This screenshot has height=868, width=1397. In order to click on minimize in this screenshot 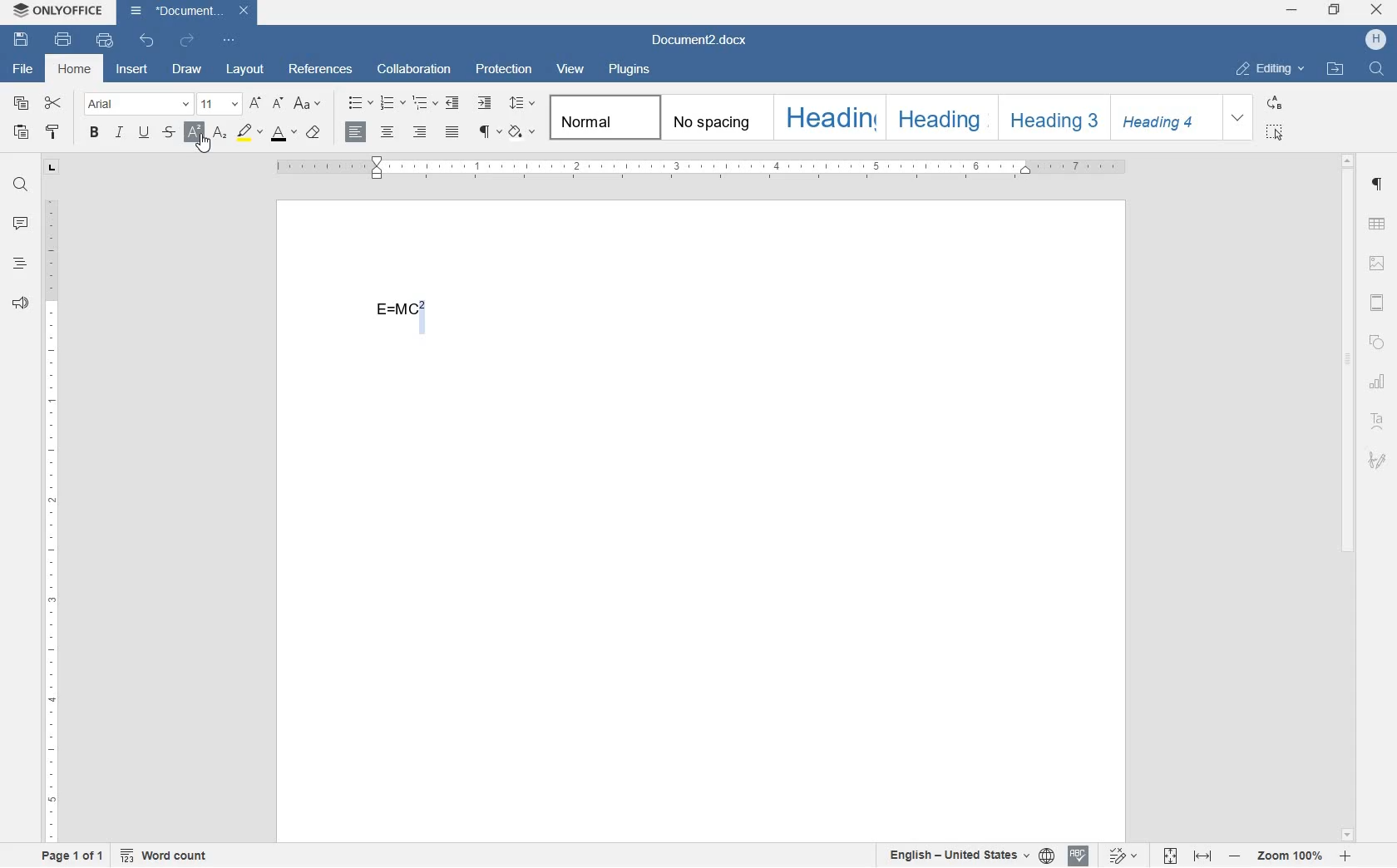, I will do `click(1292, 10)`.